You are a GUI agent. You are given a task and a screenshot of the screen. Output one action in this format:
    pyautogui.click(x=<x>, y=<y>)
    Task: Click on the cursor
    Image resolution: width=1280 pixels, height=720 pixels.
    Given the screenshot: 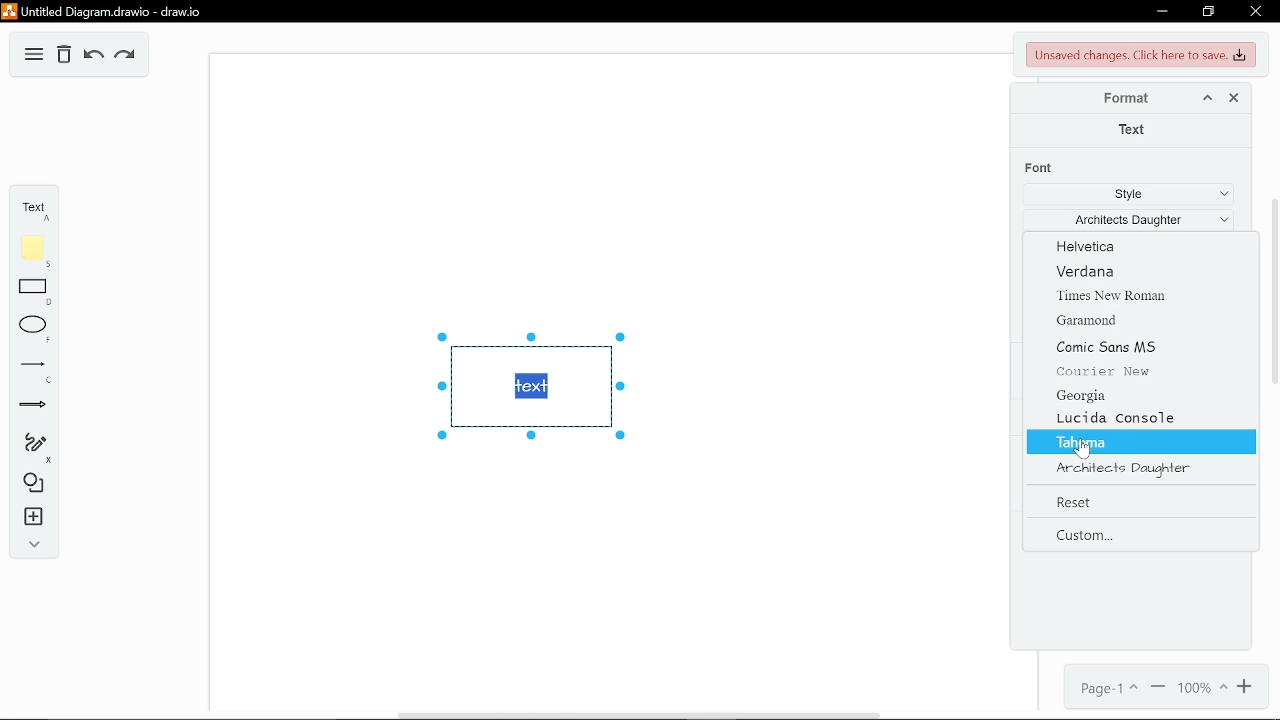 What is the action you would take?
    pyautogui.click(x=1081, y=454)
    